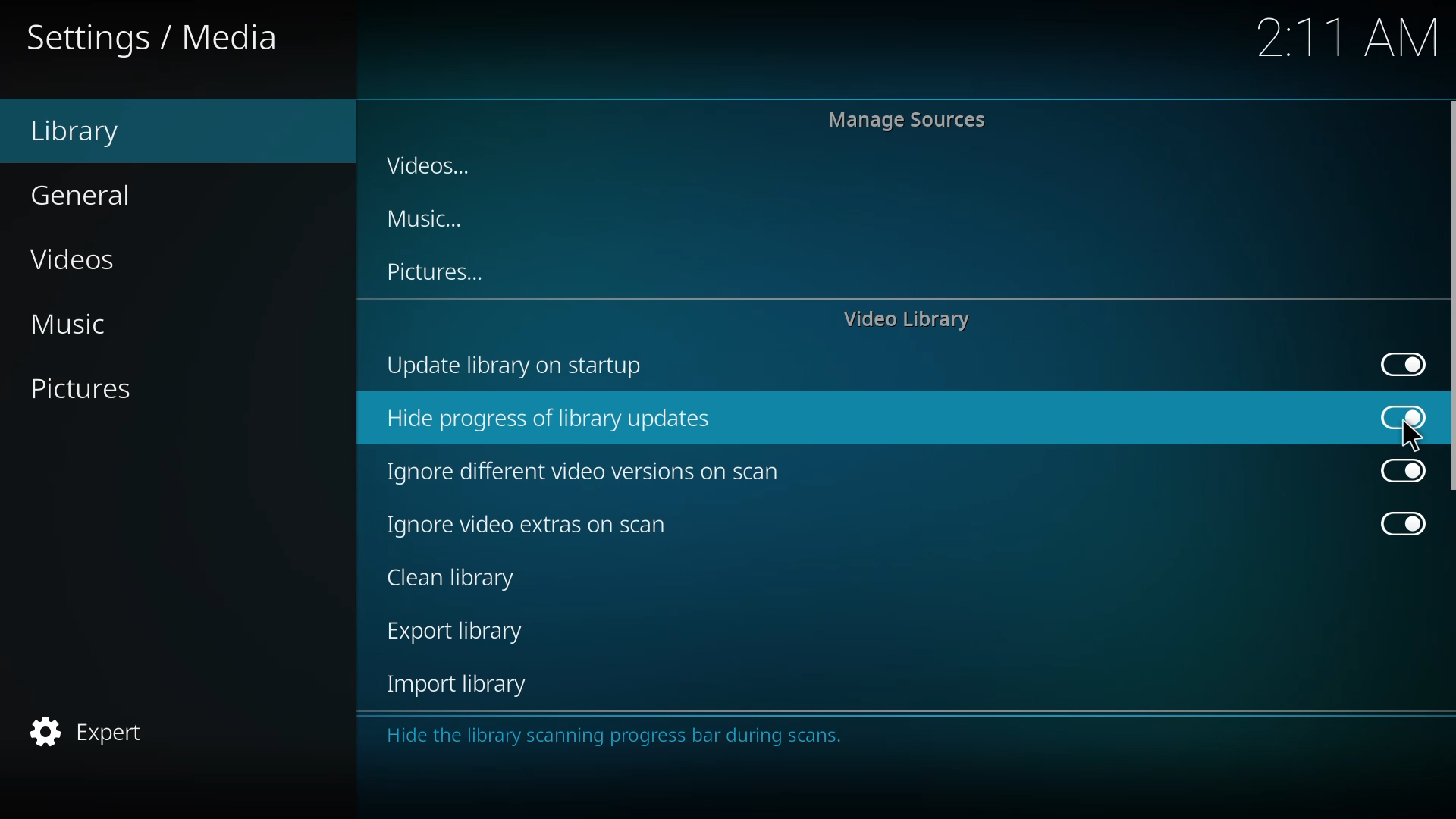  What do you see at coordinates (458, 633) in the screenshot?
I see `export library` at bounding box center [458, 633].